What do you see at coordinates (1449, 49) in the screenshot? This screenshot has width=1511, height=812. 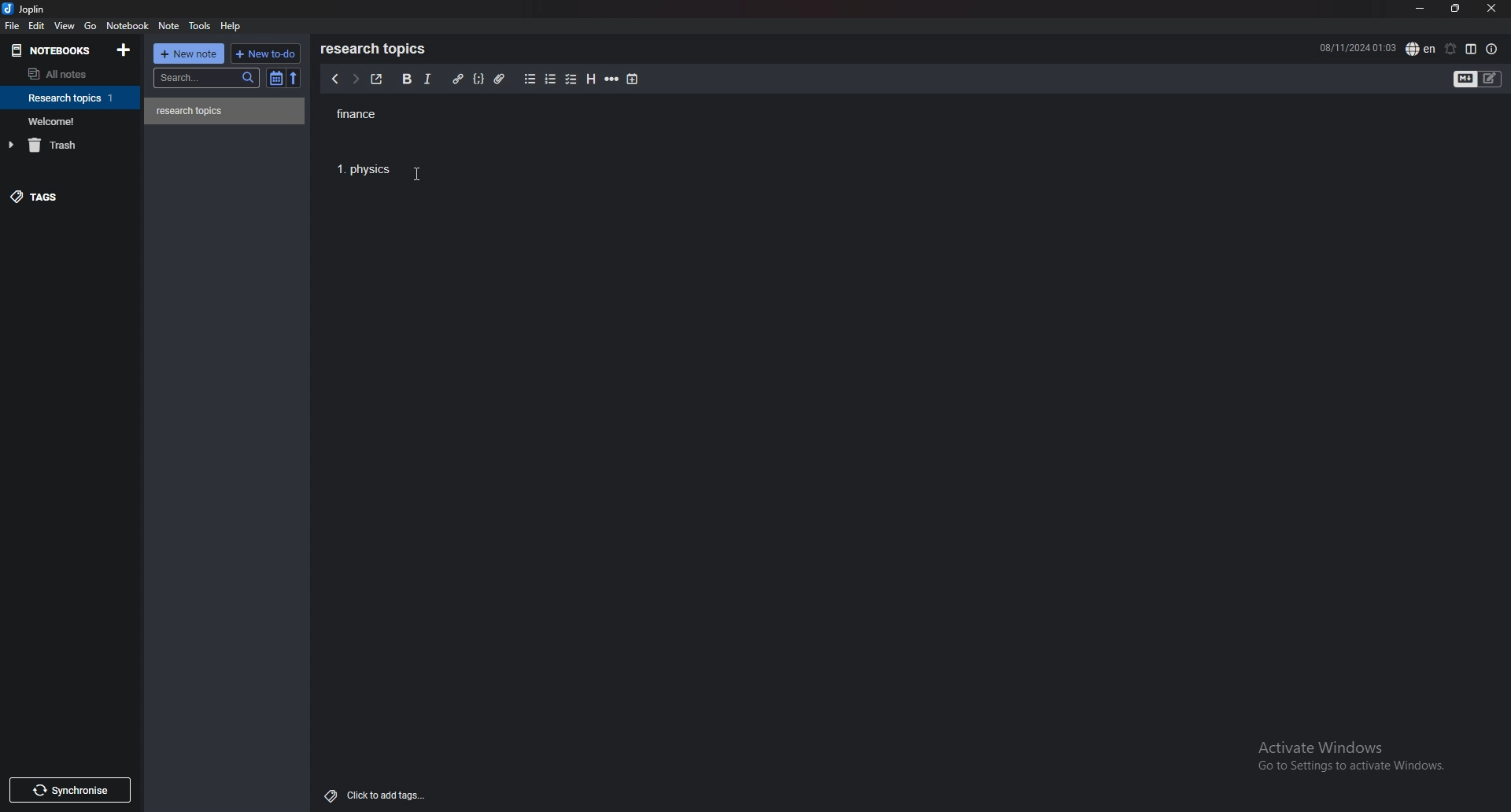 I see `set alarm` at bounding box center [1449, 49].